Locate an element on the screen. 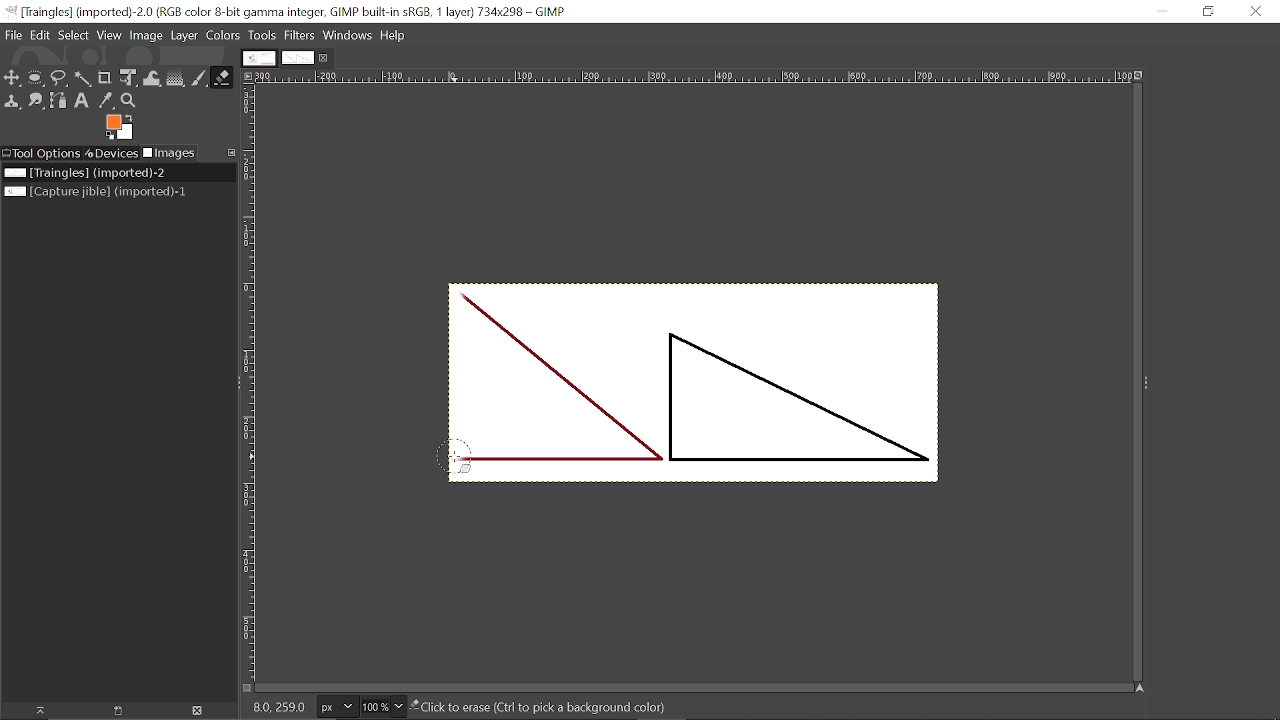  Restore down is located at coordinates (1210, 11).